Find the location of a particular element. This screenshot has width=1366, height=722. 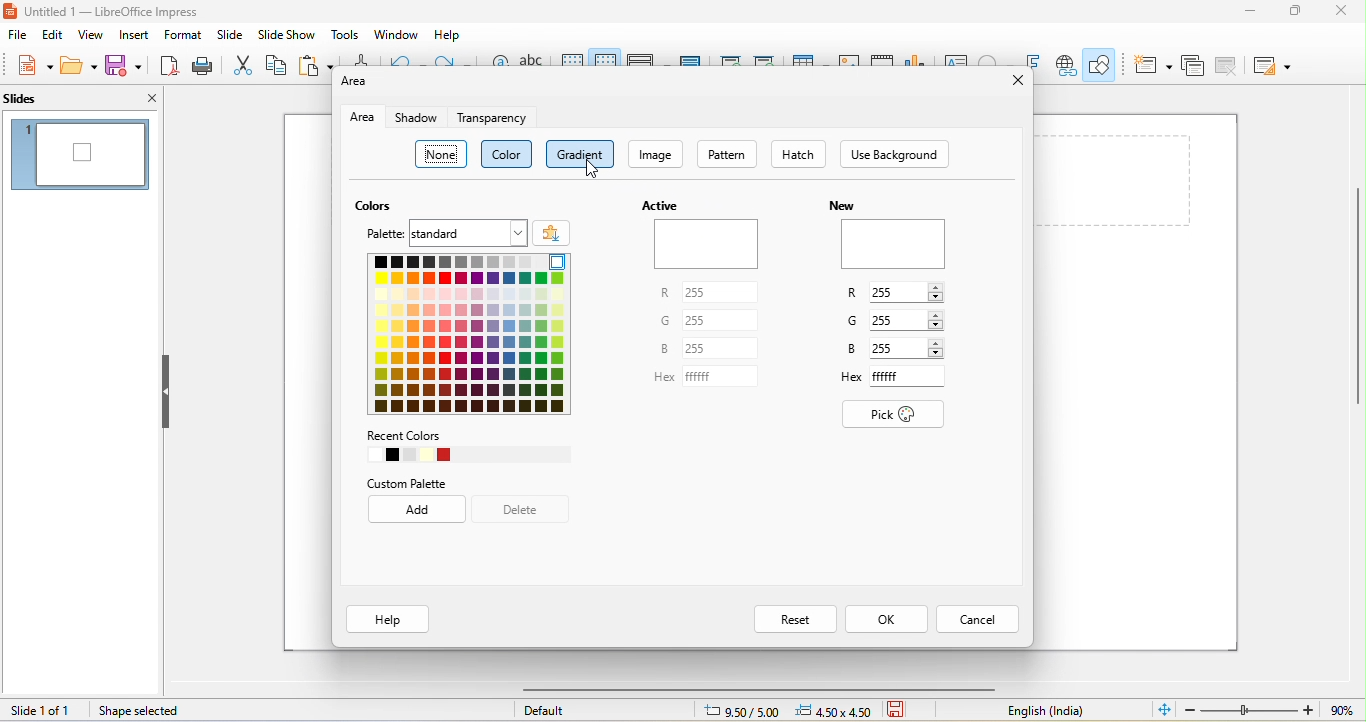

maximize is located at coordinates (1296, 12).